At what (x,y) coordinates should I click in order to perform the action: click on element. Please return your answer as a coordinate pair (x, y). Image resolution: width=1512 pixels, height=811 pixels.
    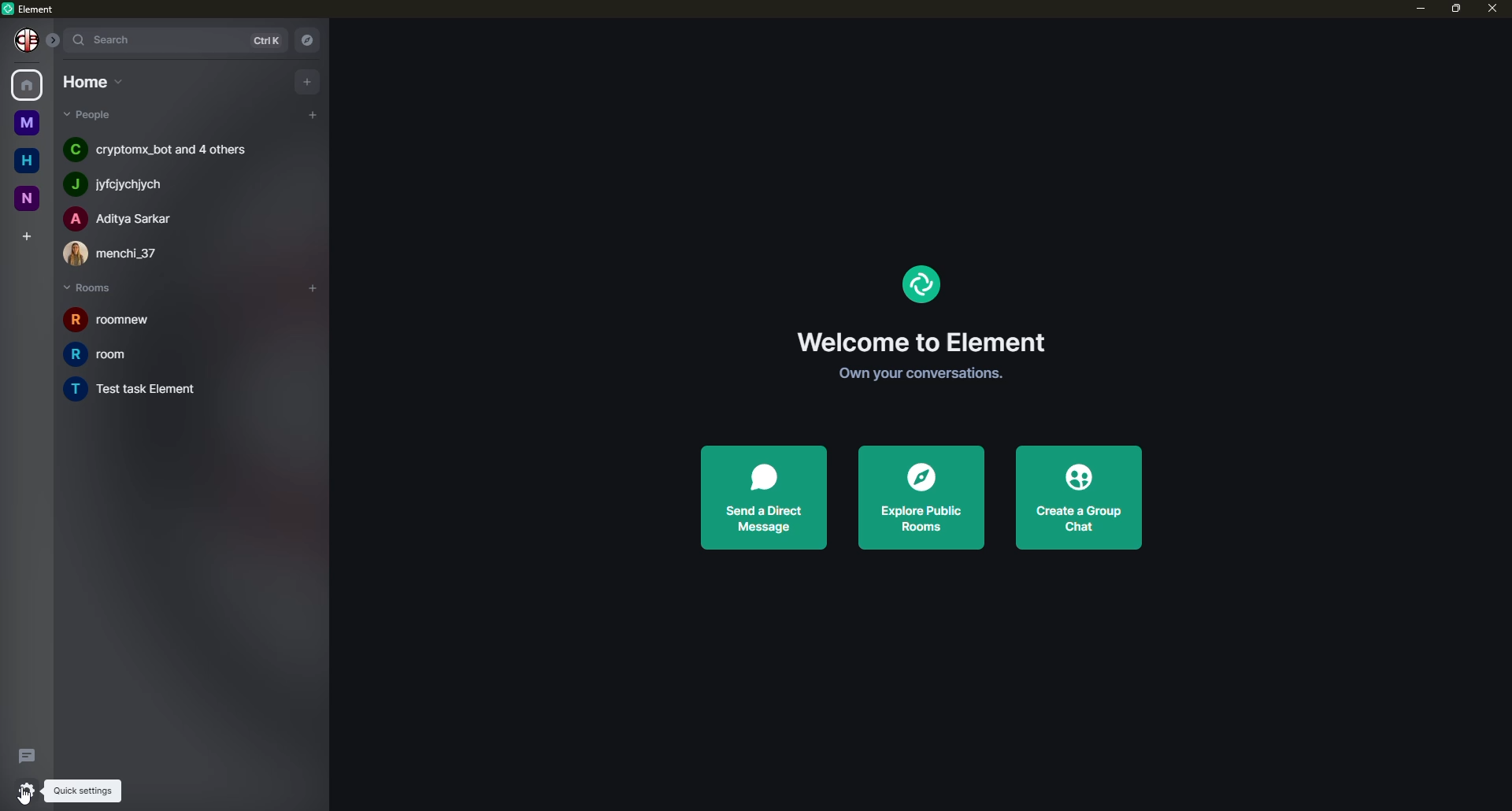
    Looking at the image, I should click on (918, 284).